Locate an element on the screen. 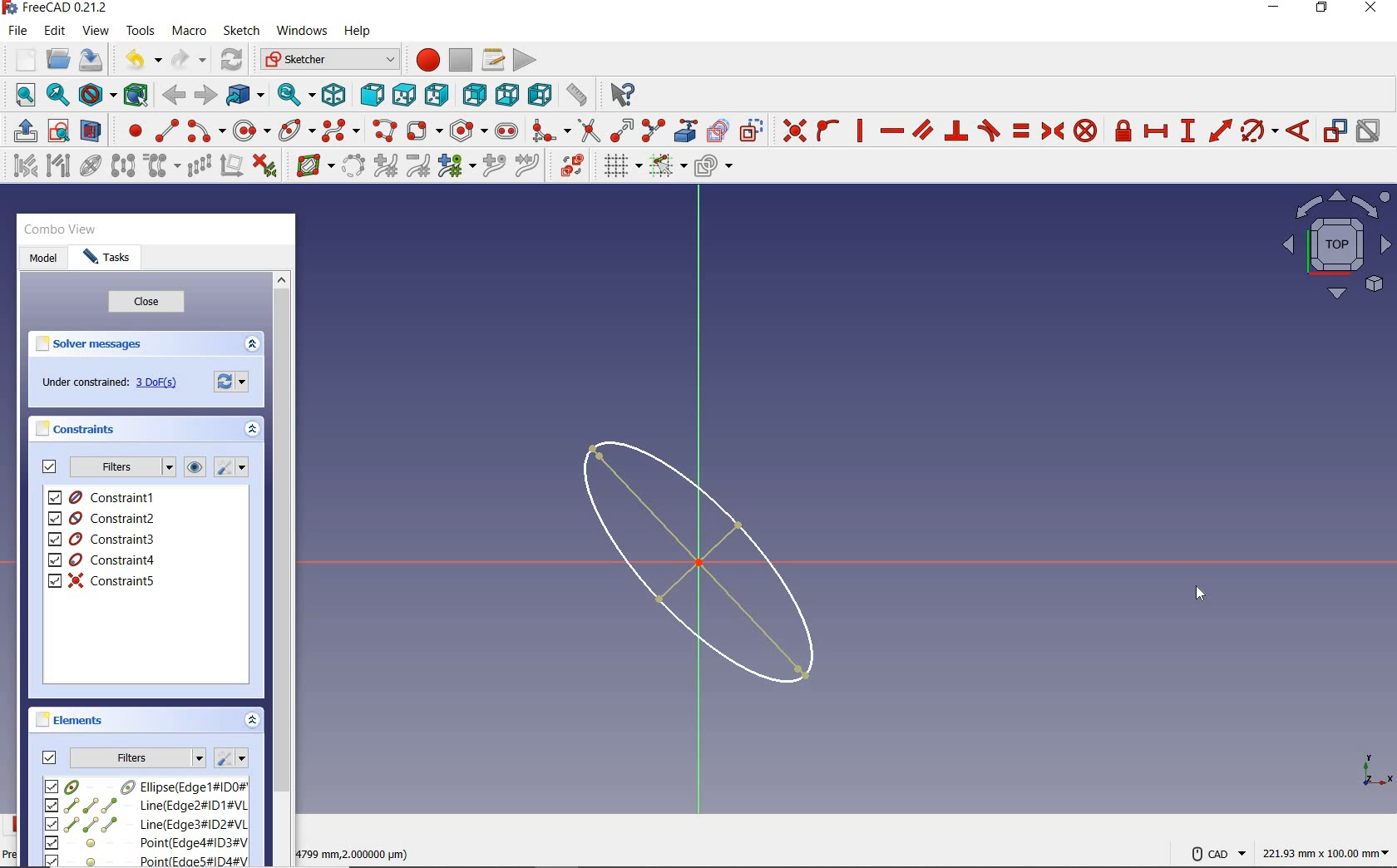 The height and width of the screenshot is (868, 1397). constraint1 is located at coordinates (107, 497).